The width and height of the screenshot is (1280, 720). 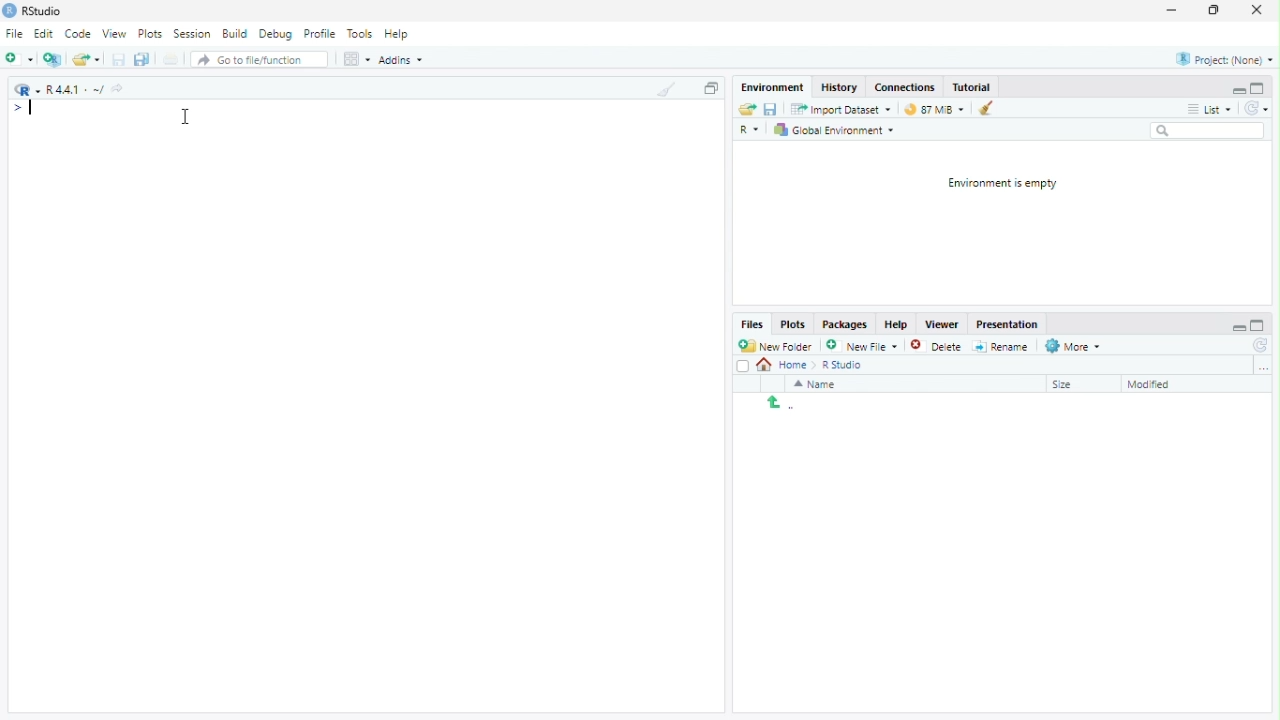 What do you see at coordinates (711, 87) in the screenshot?
I see `Copy` at bounding box center [711, 87].